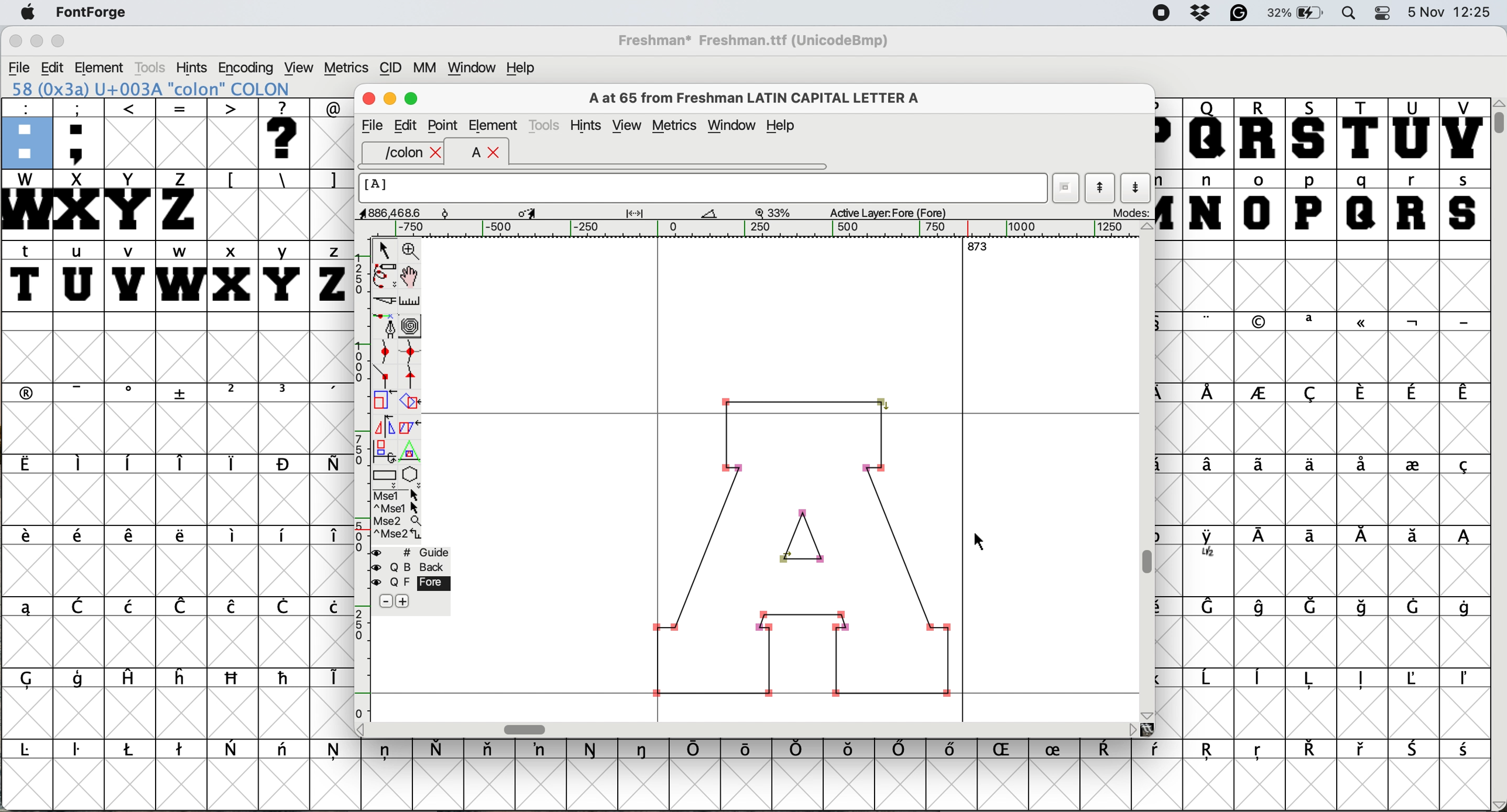  Describe the element at coordinates (955, 752) in the screenshot. I see `symbol` at that location.